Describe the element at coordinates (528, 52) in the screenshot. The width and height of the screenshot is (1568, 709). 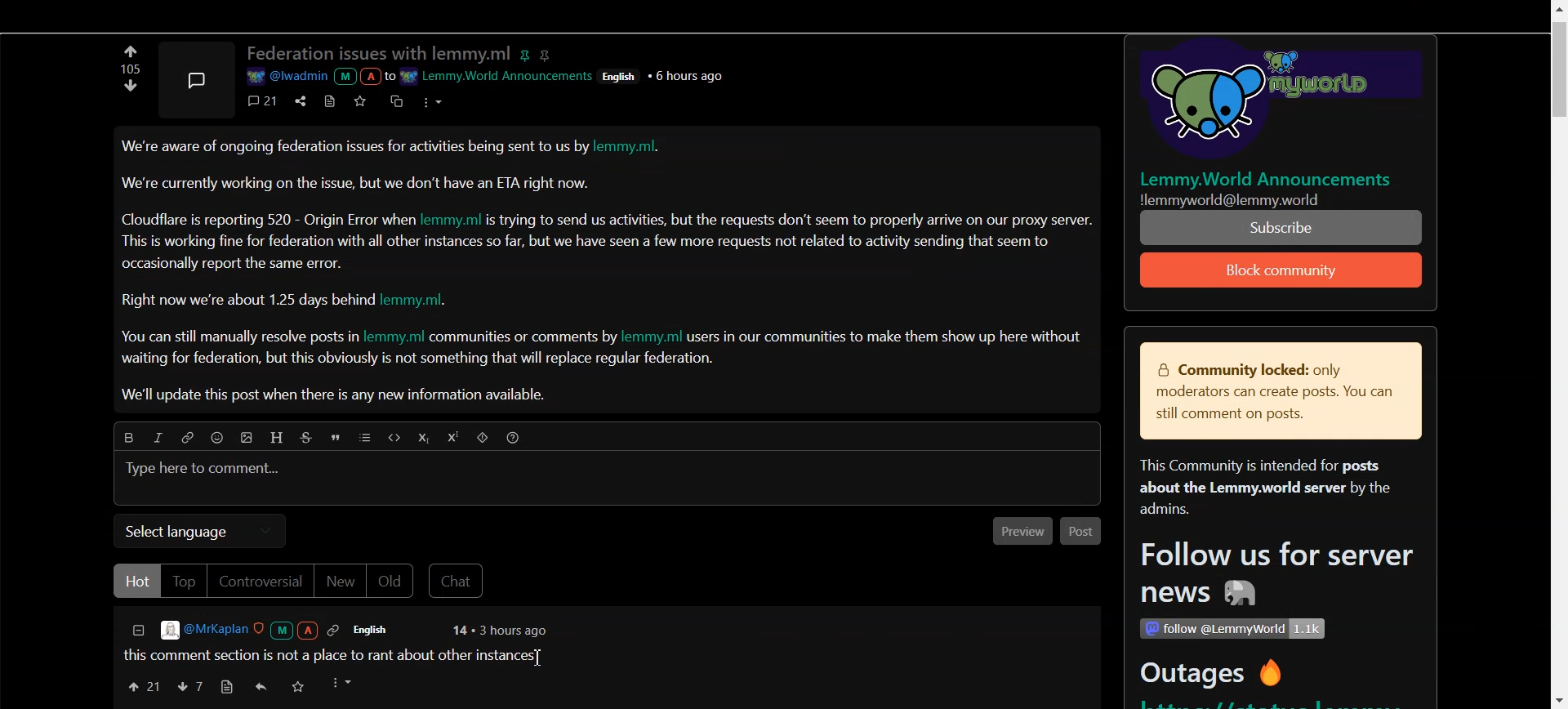
I see `pin` at that location.